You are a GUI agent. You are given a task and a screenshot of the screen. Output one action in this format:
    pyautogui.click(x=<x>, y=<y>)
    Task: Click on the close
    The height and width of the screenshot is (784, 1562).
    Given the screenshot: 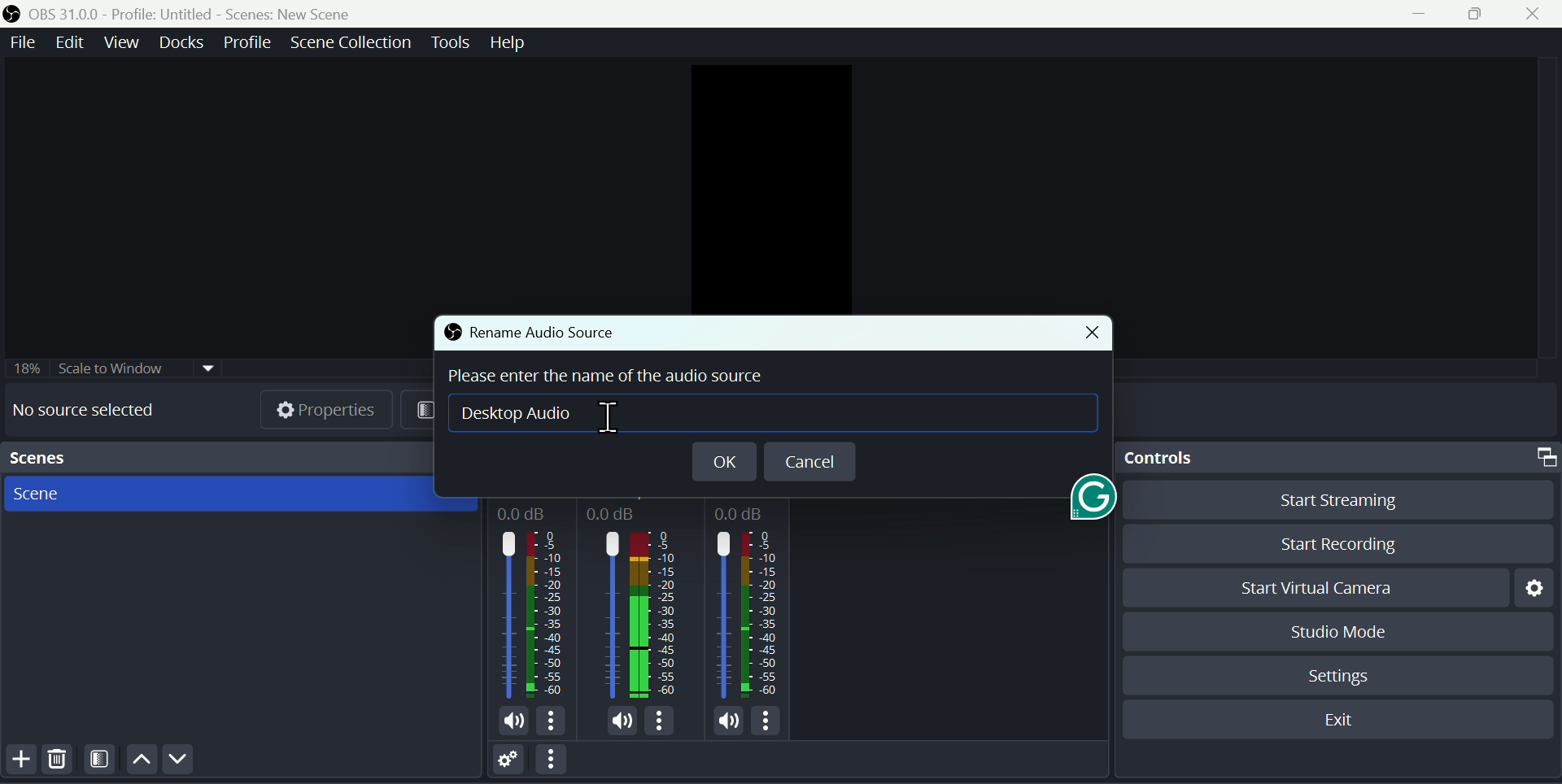 What is the action you would take?
    pyautogui.click(x=1087, y=333)
    